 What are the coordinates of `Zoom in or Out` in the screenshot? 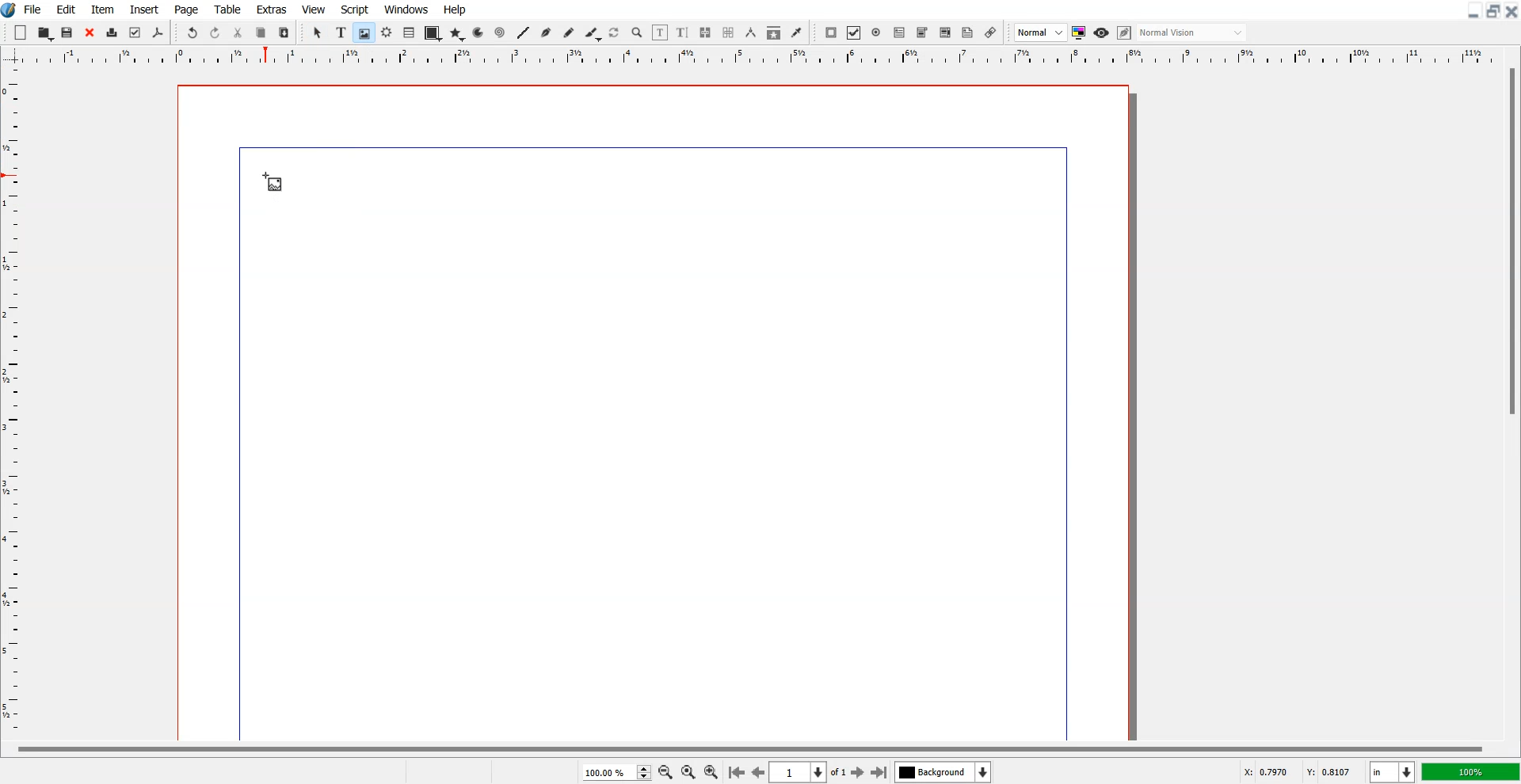 It's located at (638, 33).